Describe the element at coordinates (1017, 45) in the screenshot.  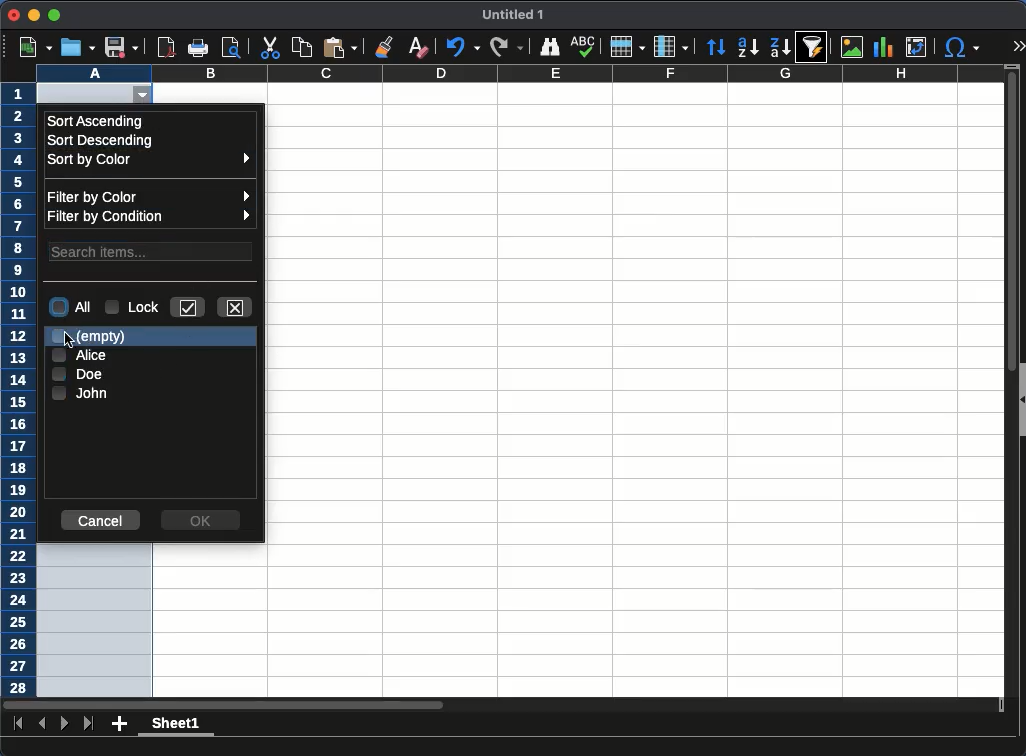
I see `expand` at that location.